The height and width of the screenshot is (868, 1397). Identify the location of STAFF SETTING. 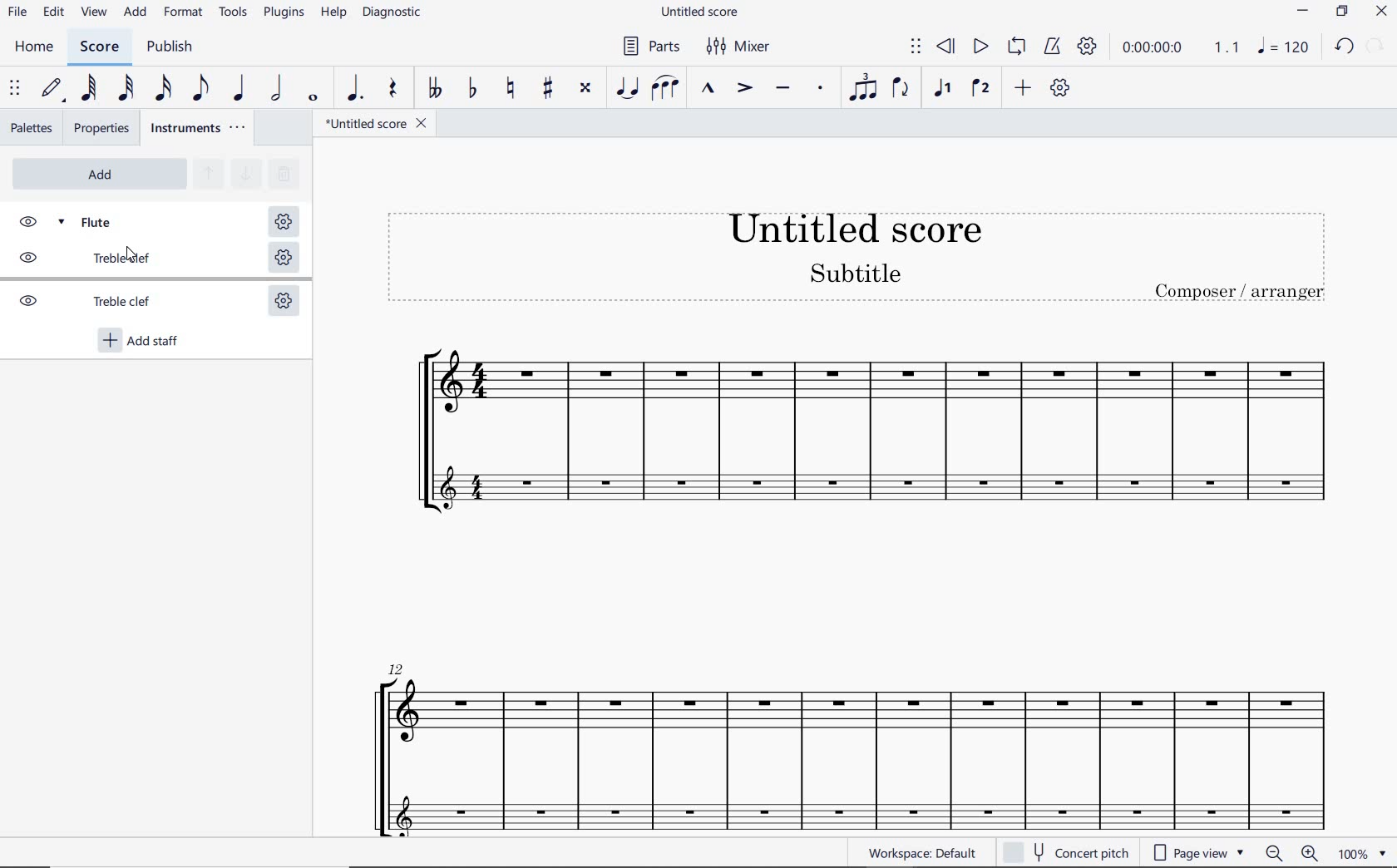
(282, 222).